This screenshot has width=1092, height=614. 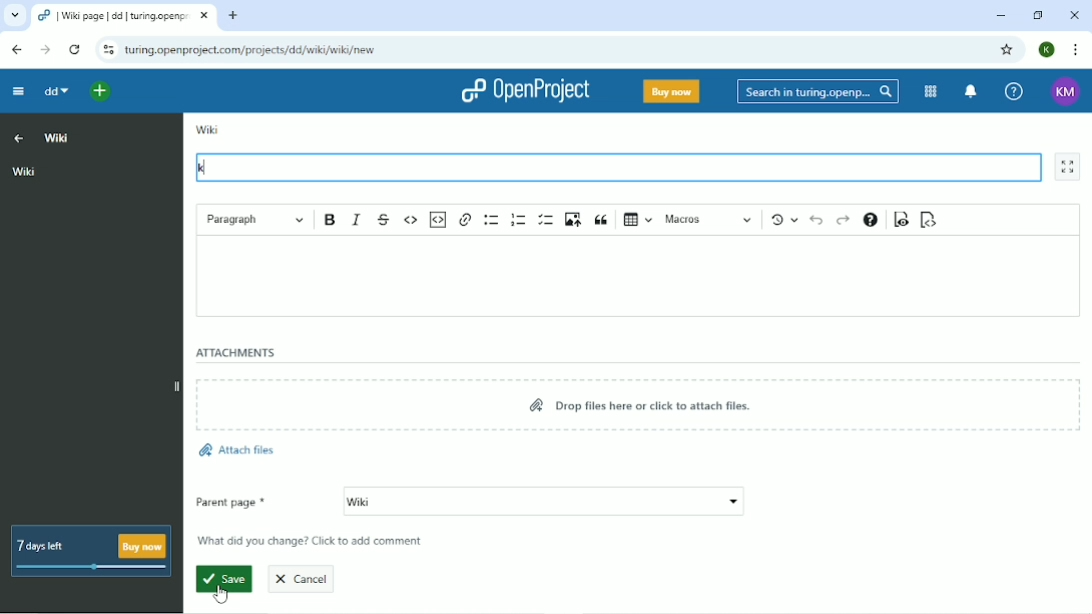 What do you see at coordinates (91, 550) in the screenshot?
I see `7 days left` at bounding box center [91, 550].